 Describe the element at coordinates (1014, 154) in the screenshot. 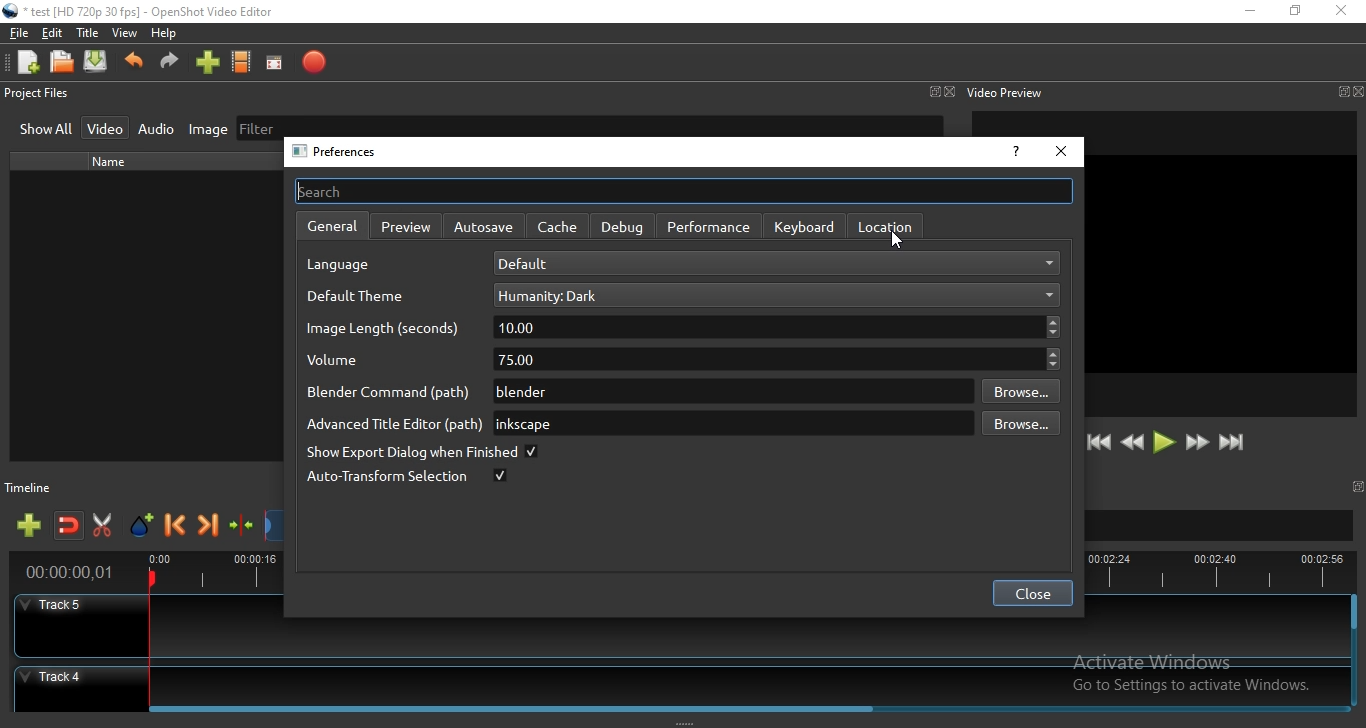

I see `help` at that location.